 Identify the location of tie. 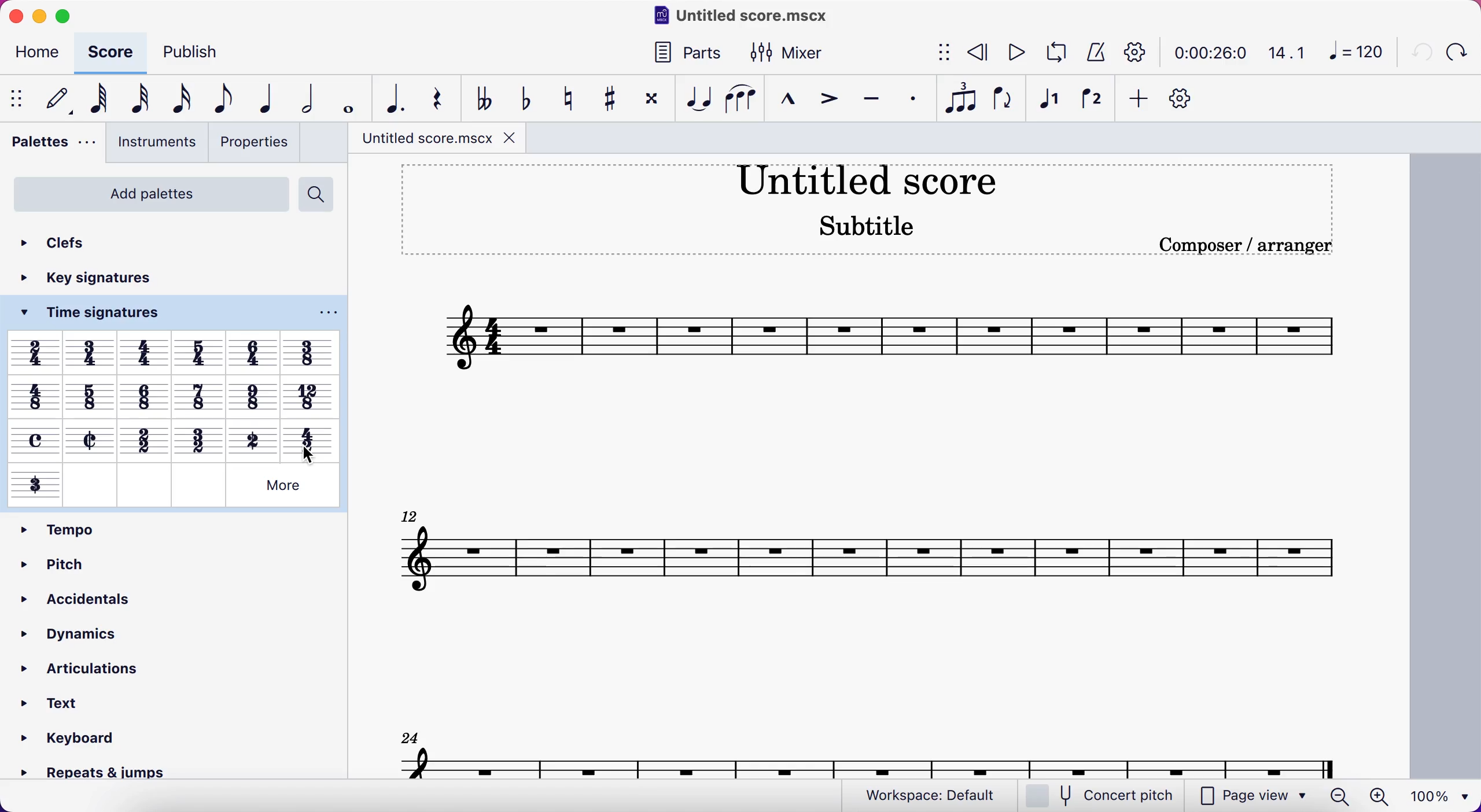
(694, 97).